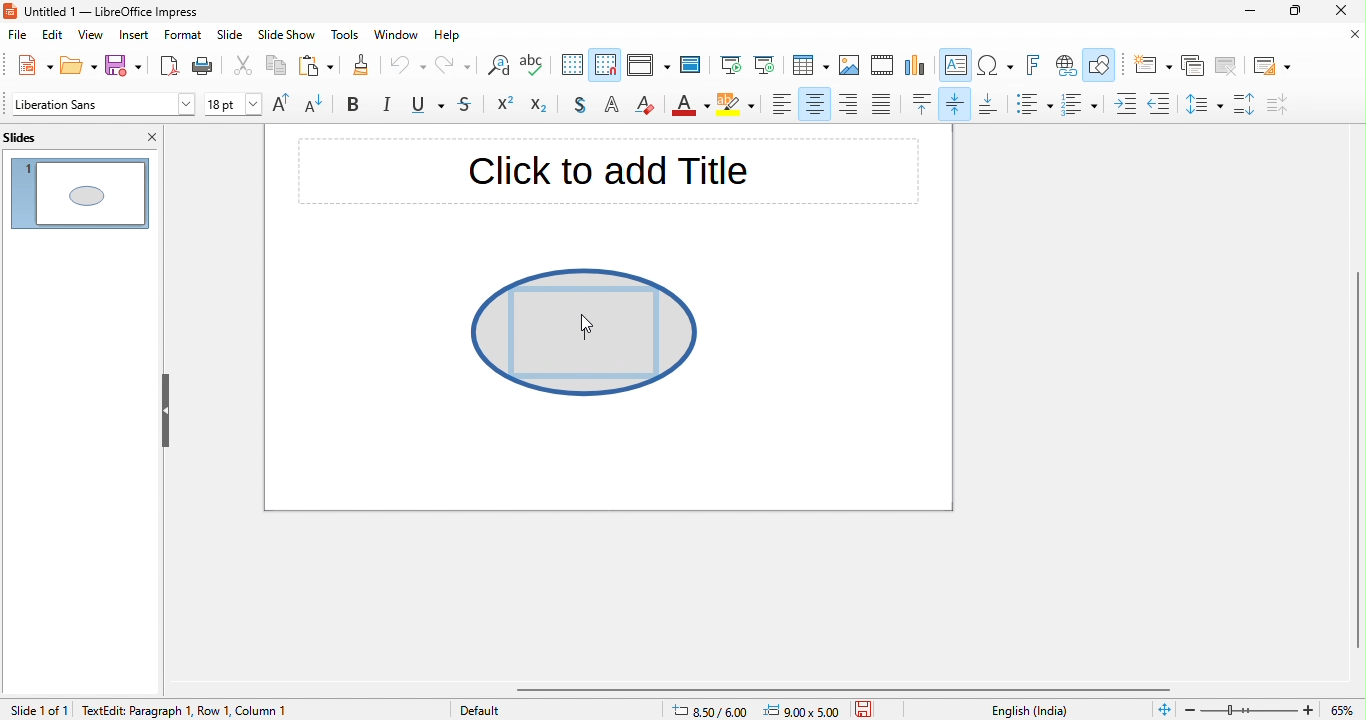 The image size is (1366, 720). What do you see at coordinates (1290, 104) in the screenshot?
I see `decrease paragraph spacing` at bounding box center [1290, 104].